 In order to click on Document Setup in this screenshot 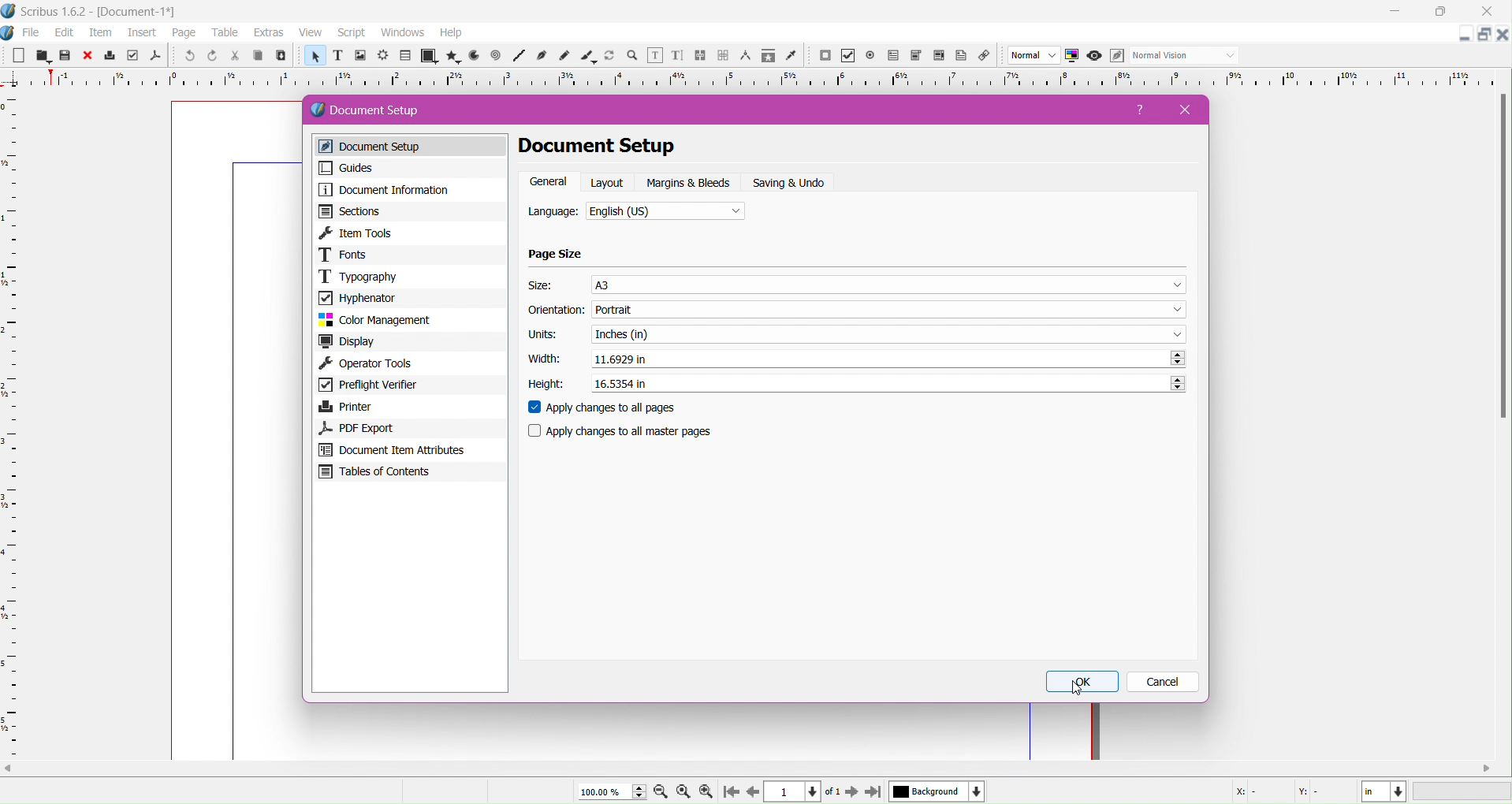, I will do `click(617, 147)`.